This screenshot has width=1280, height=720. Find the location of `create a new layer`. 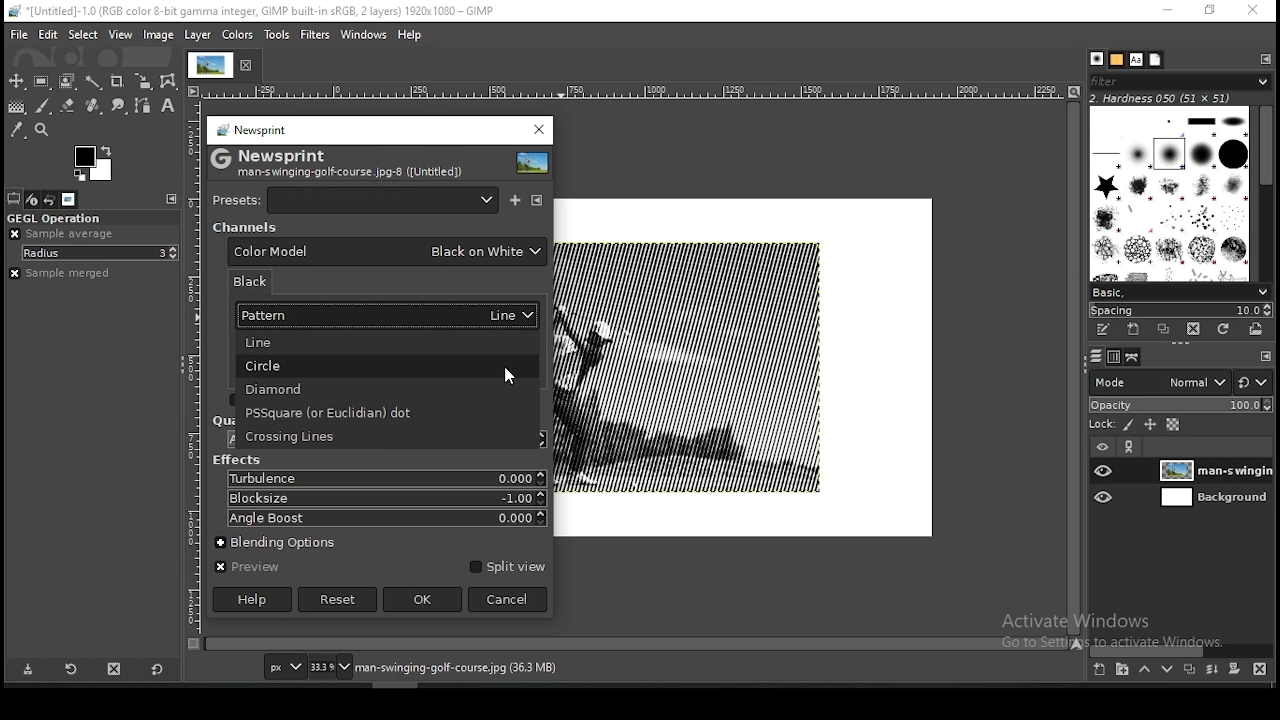

create a new layer is located at coordinates (1100, 669).